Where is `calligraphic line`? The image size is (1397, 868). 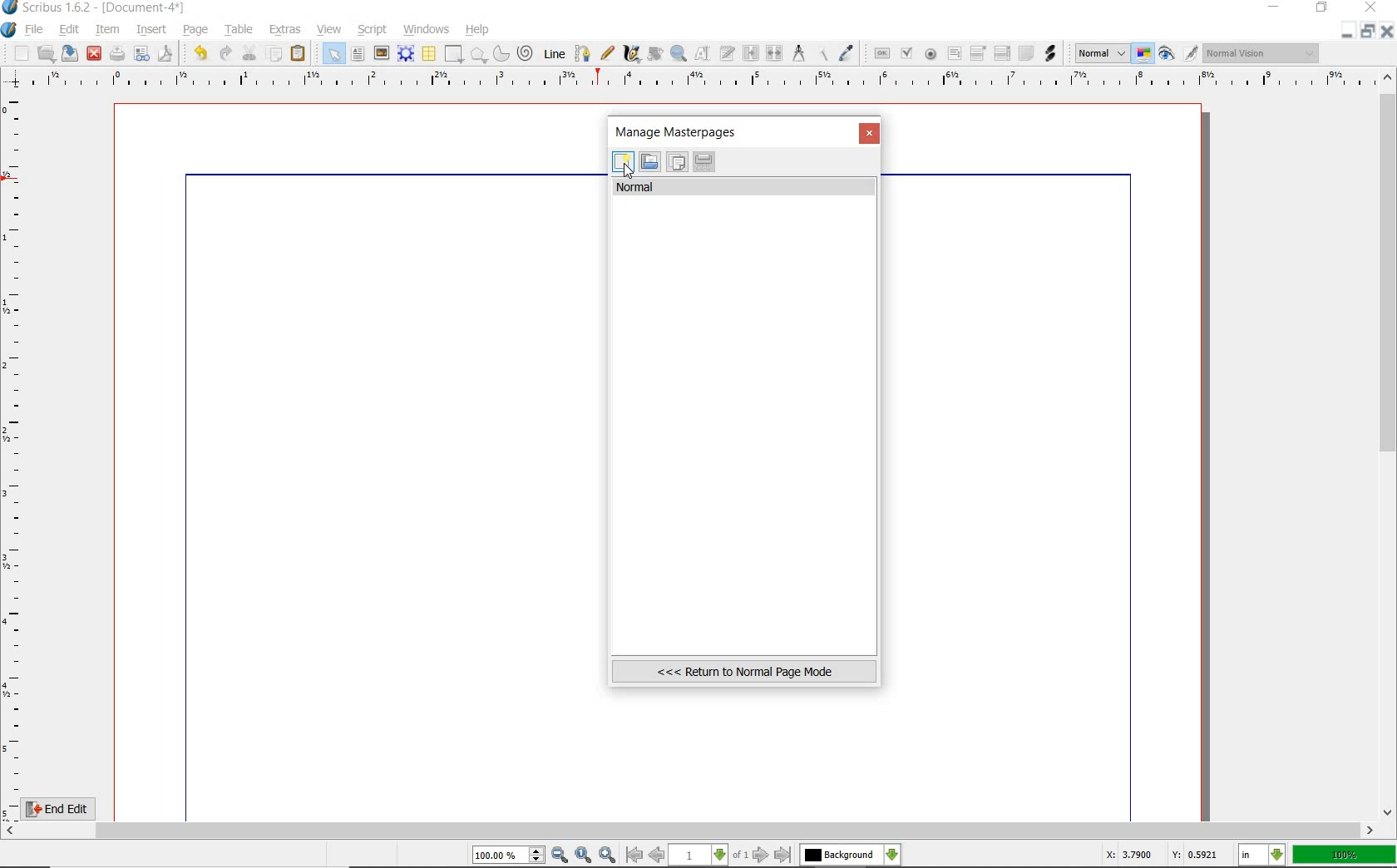 calligraphic line is located at coordinates (631, 54).